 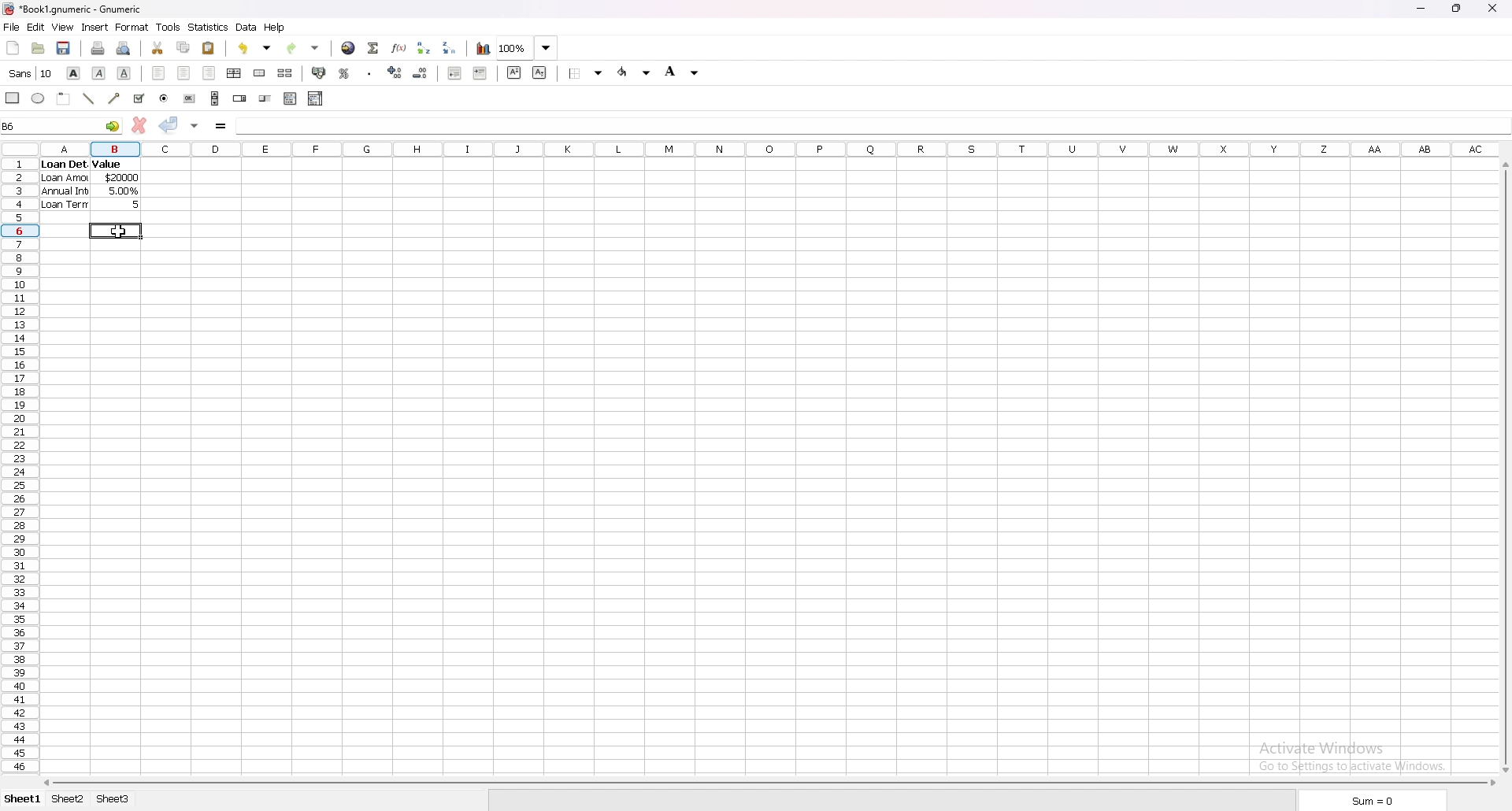 What do you see at coordinates (215, 98) in the screenshot?
I see `scroll bar` at bounding box center [215, 98].